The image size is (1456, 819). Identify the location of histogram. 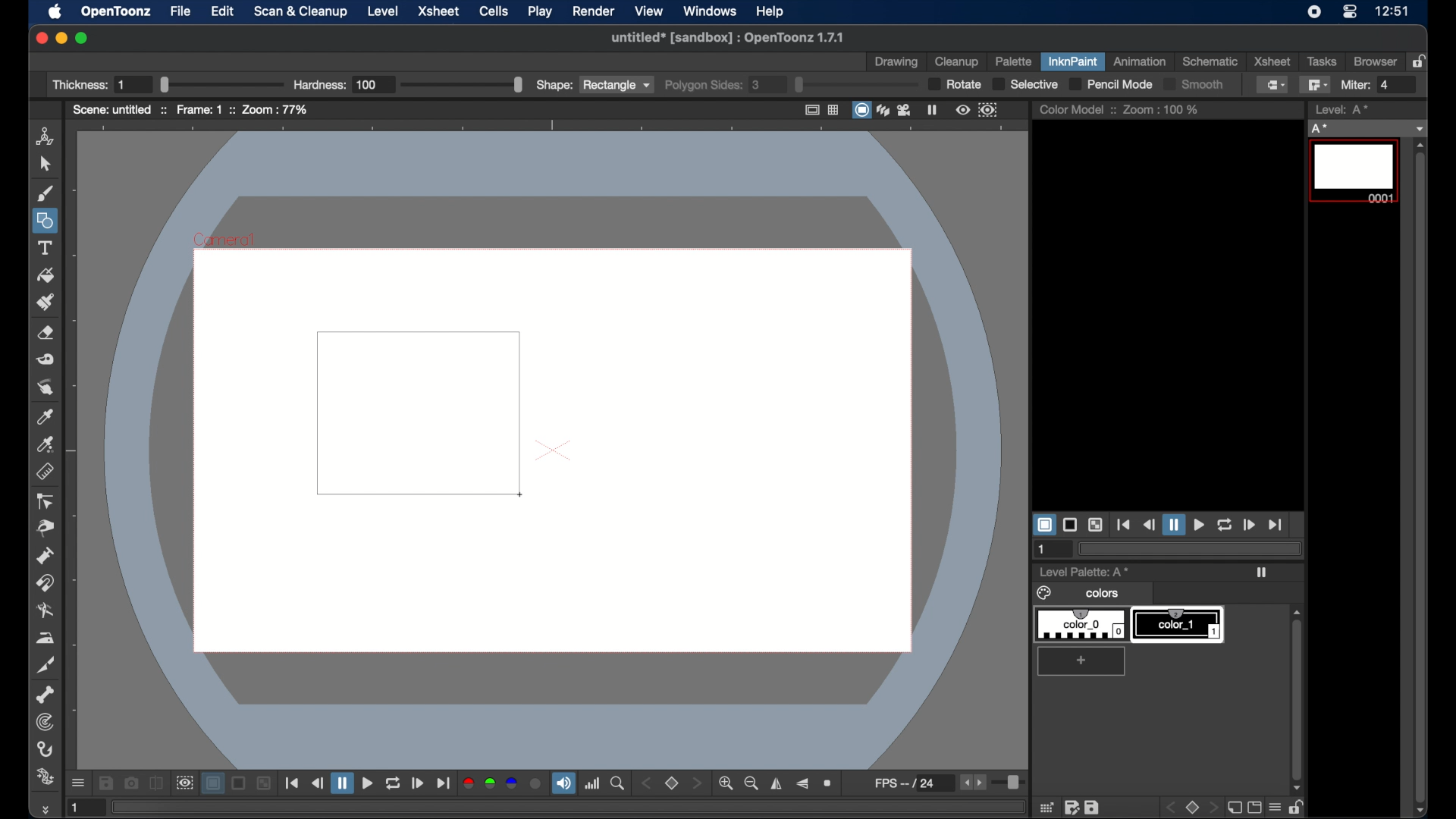
(592, 783).